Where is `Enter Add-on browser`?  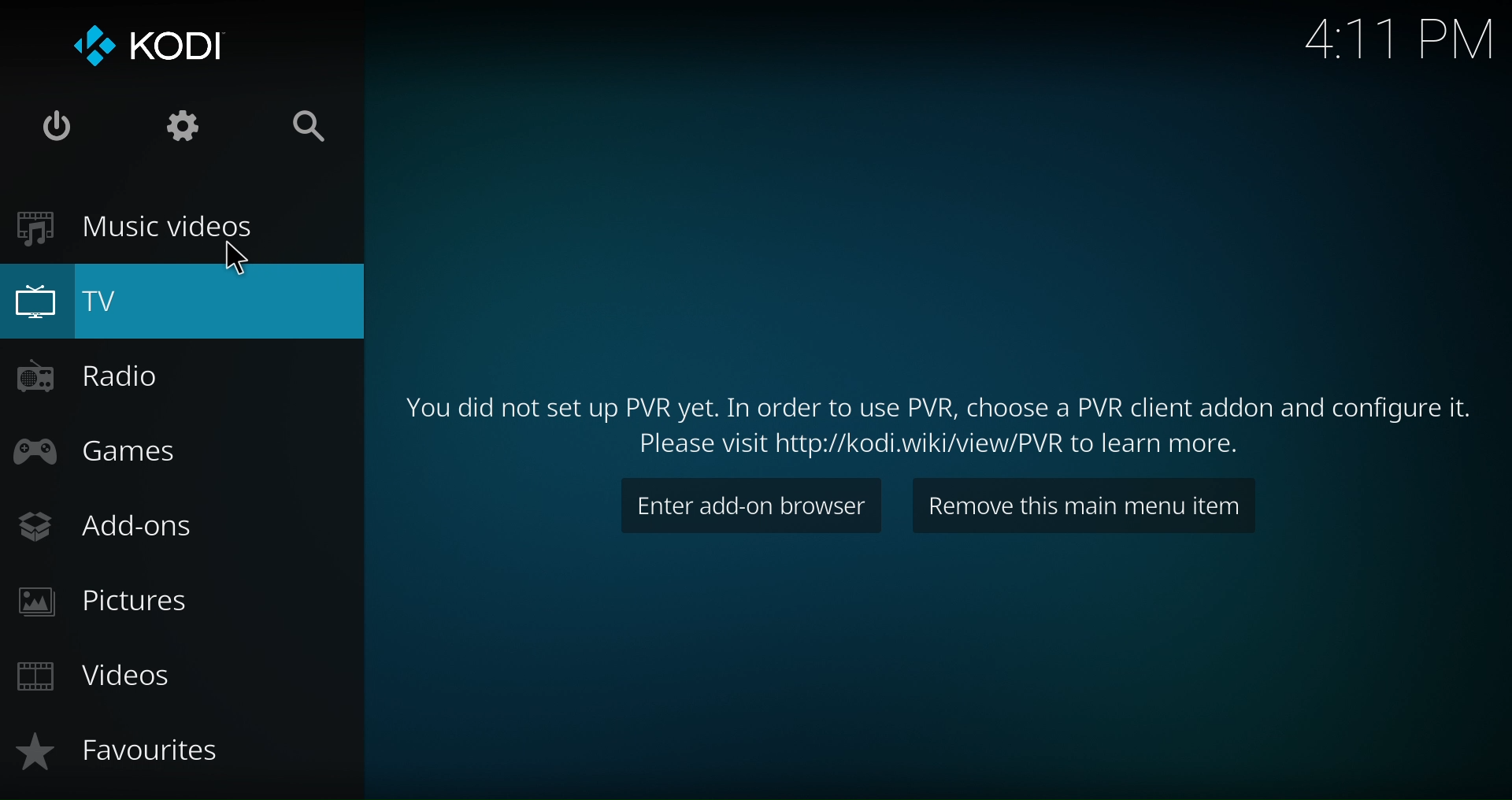
Enter Add-on browser is located at coordinates (752, 506).